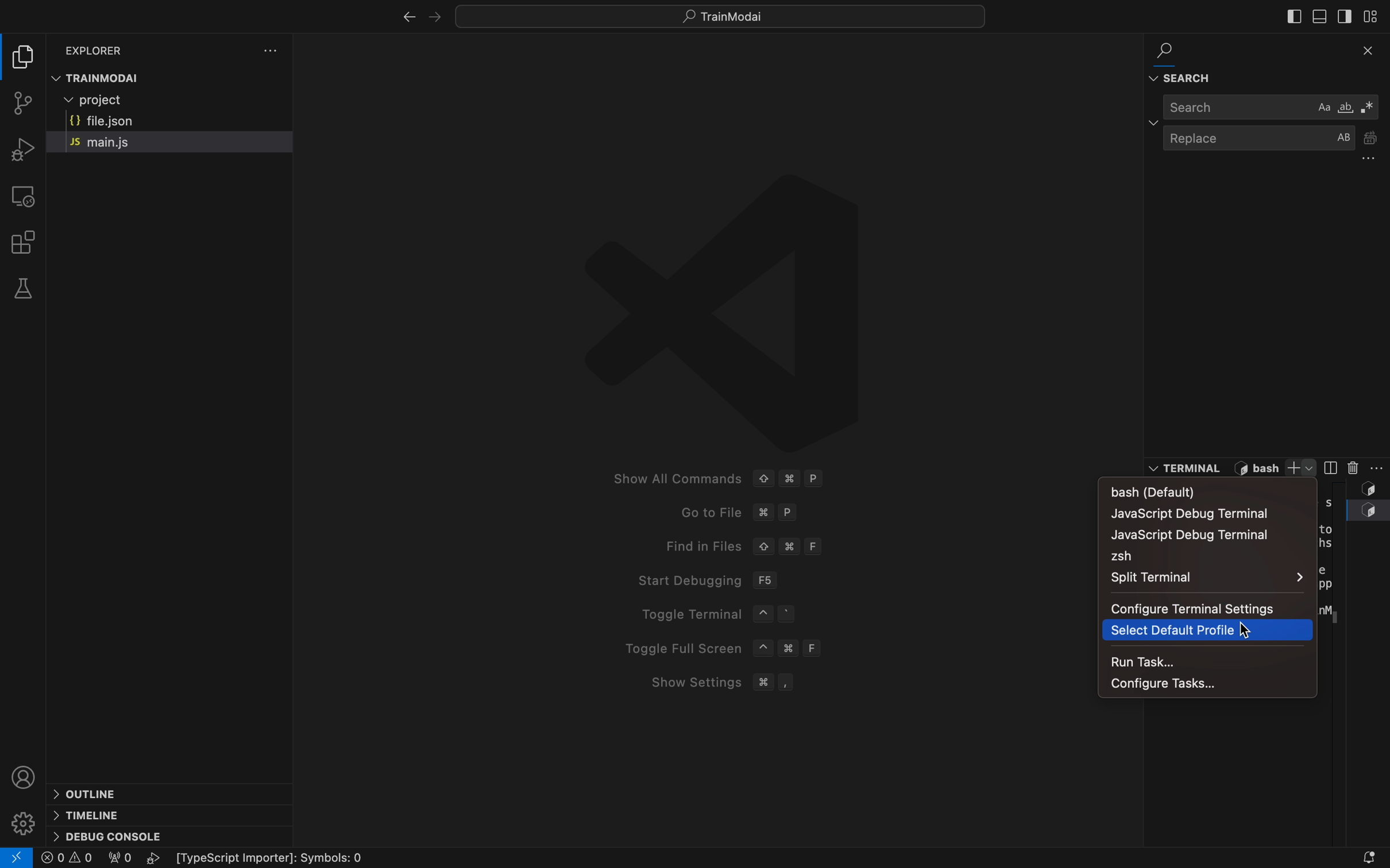 The width and height of the screenshot is (1390, 868). I want to click on main js, so click(122, 142).